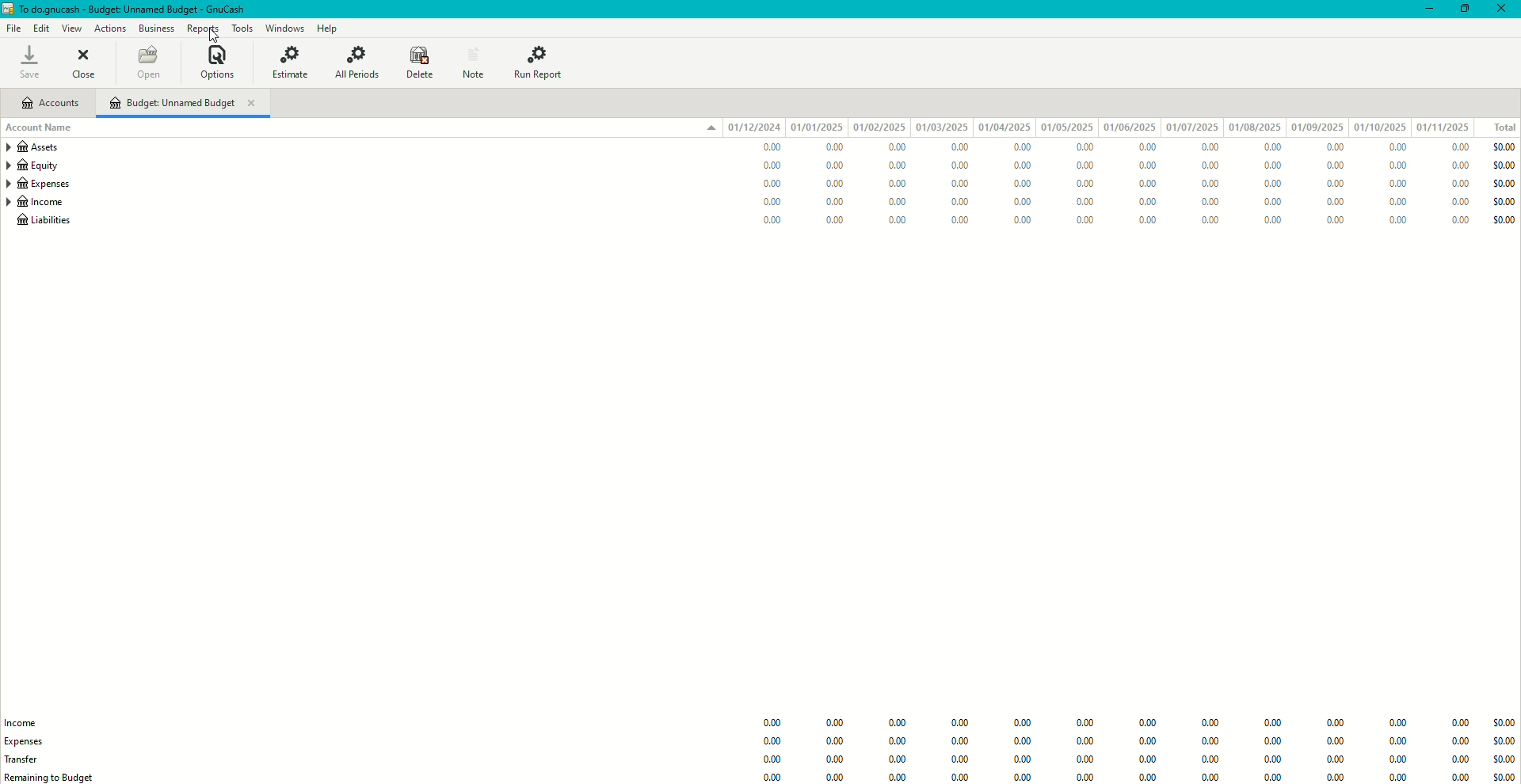 The image size is (1521, 784). Describe the element at coordinates (839, 760) in the screenshot. I see `0.00` at that location.